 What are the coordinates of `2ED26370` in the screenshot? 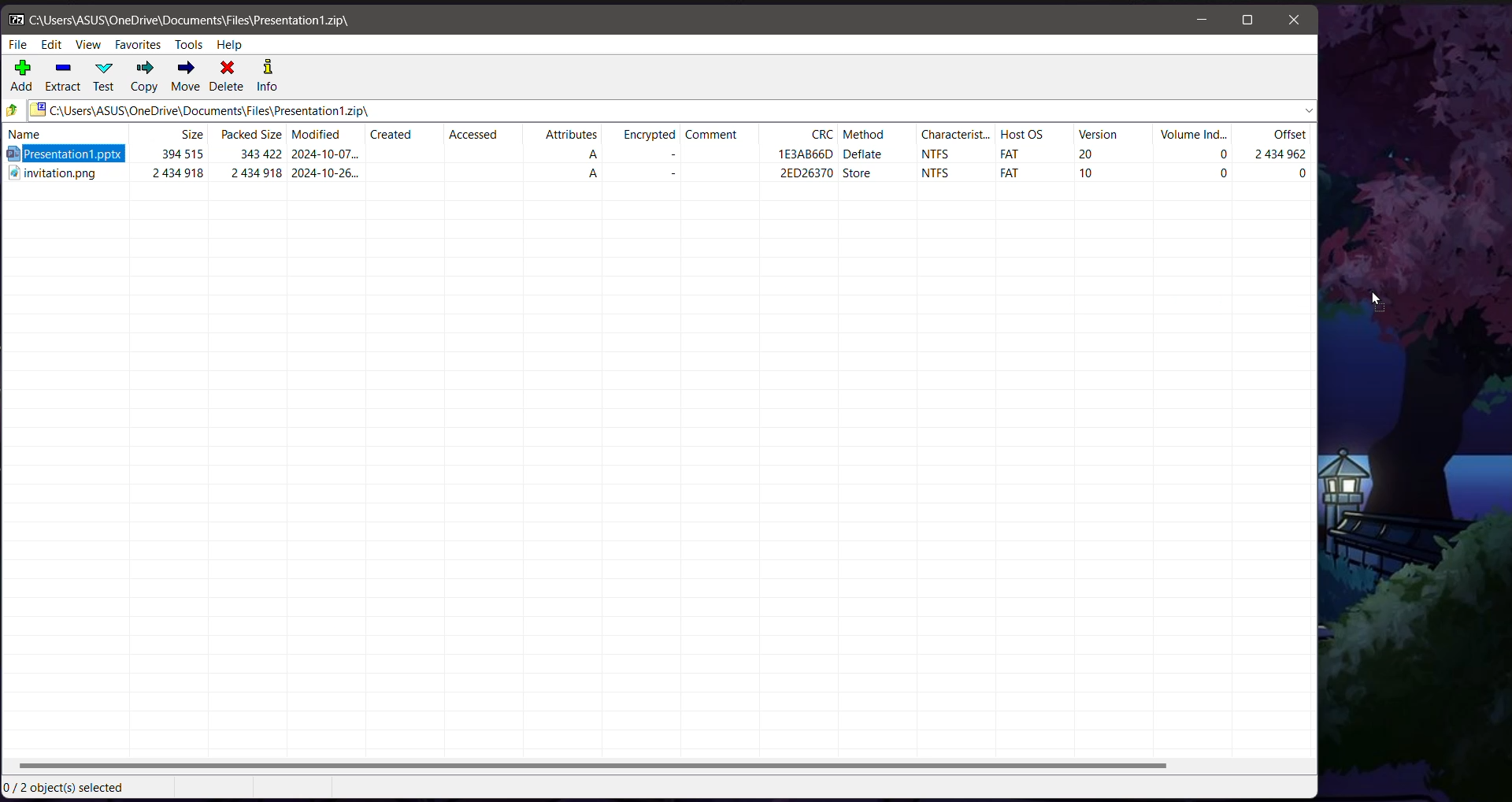 It's located at (788, 176).